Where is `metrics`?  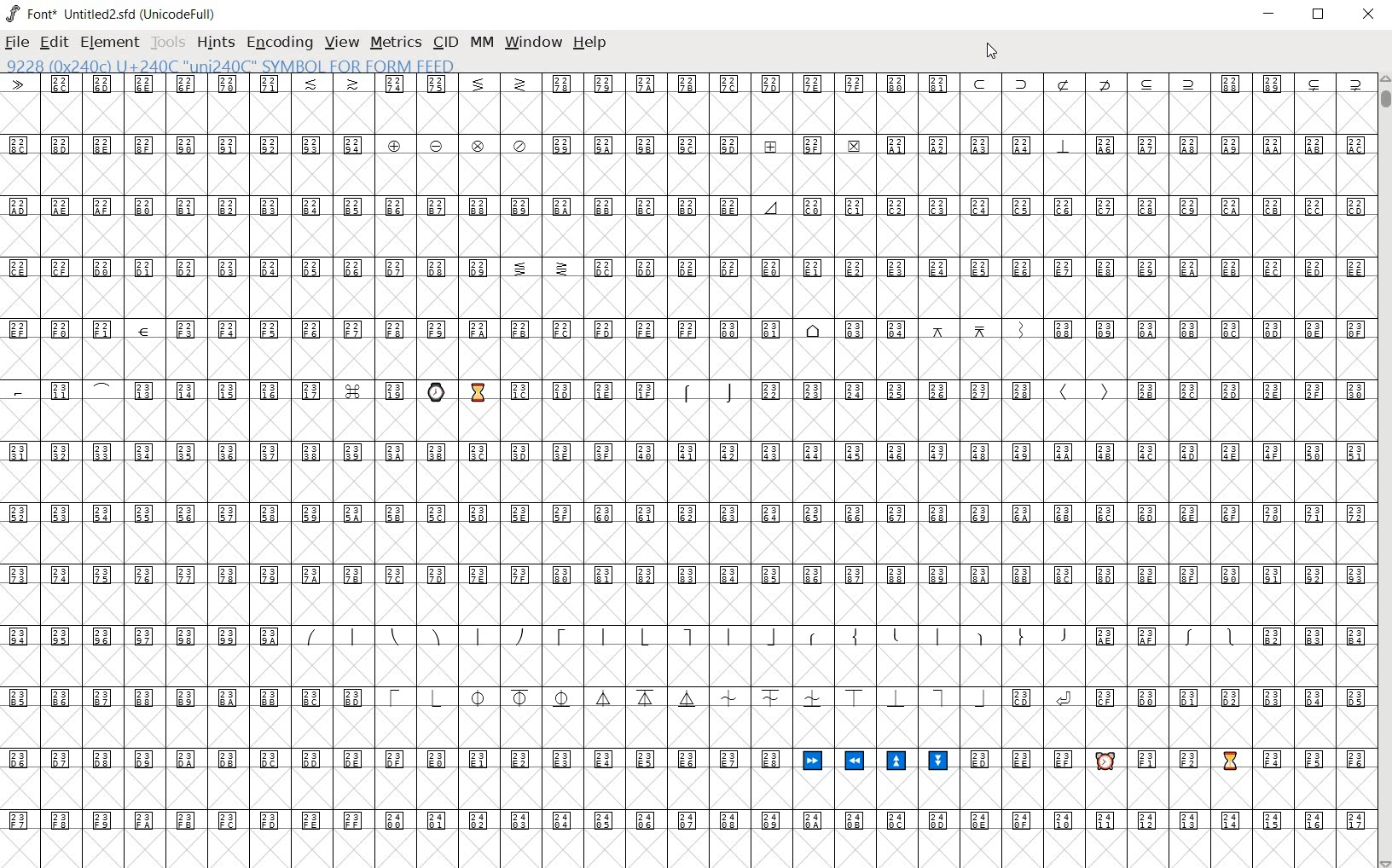
metrics is located at coordinates (395, 43).